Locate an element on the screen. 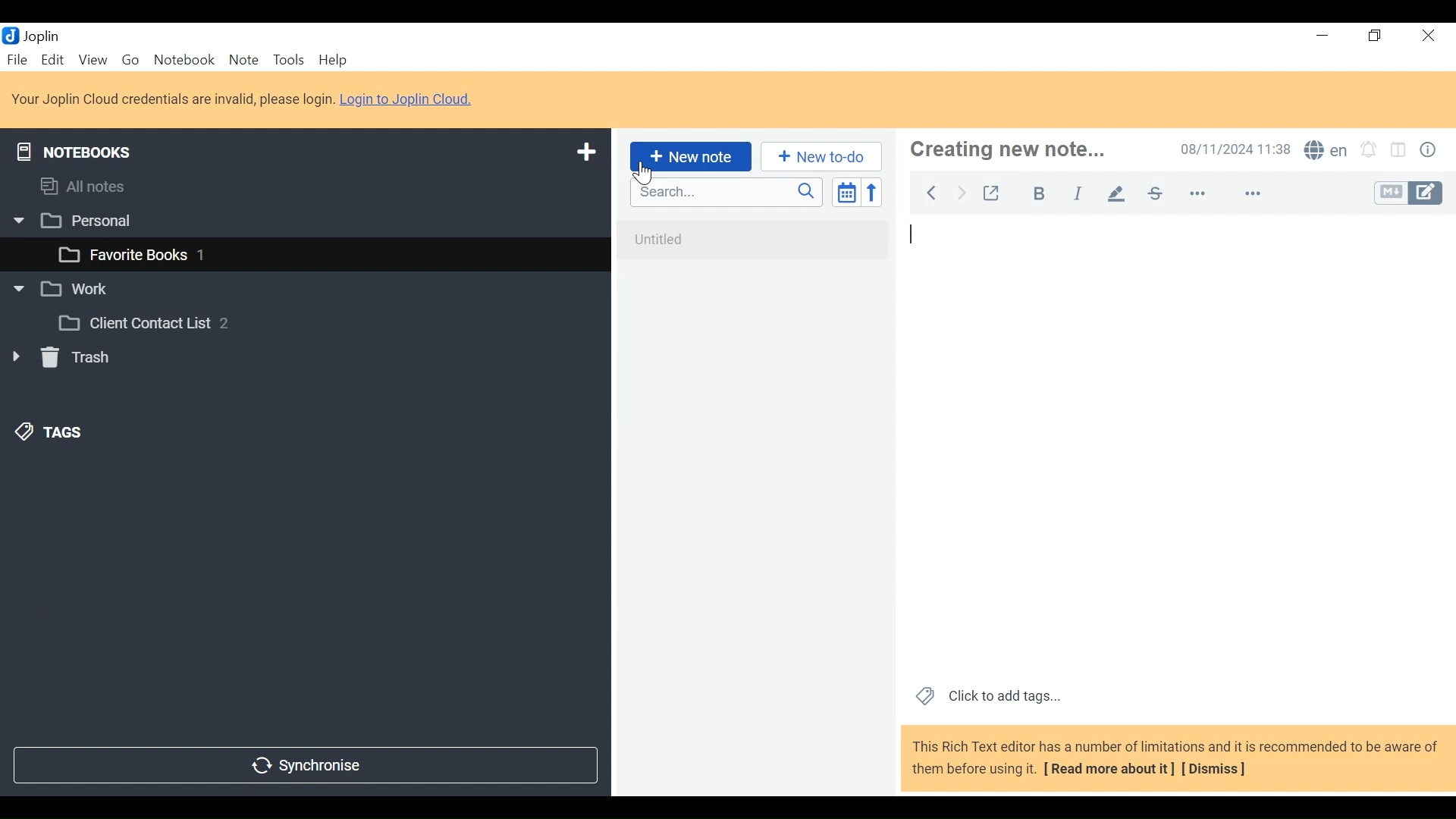  Notebooks is located at coordinates (72, 152).